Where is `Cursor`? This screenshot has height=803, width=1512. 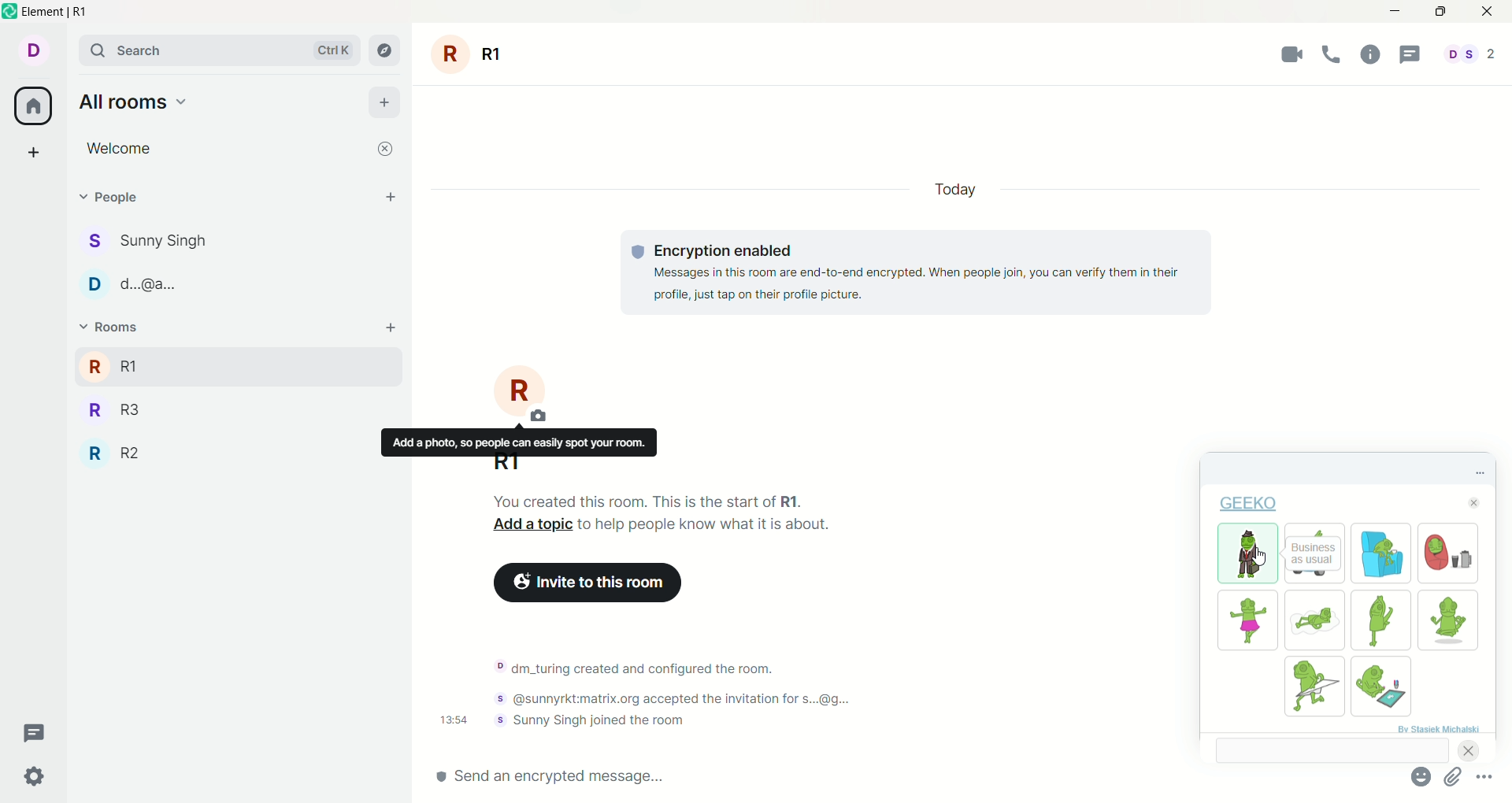
Cursor is located at coordinates (1259, 557).